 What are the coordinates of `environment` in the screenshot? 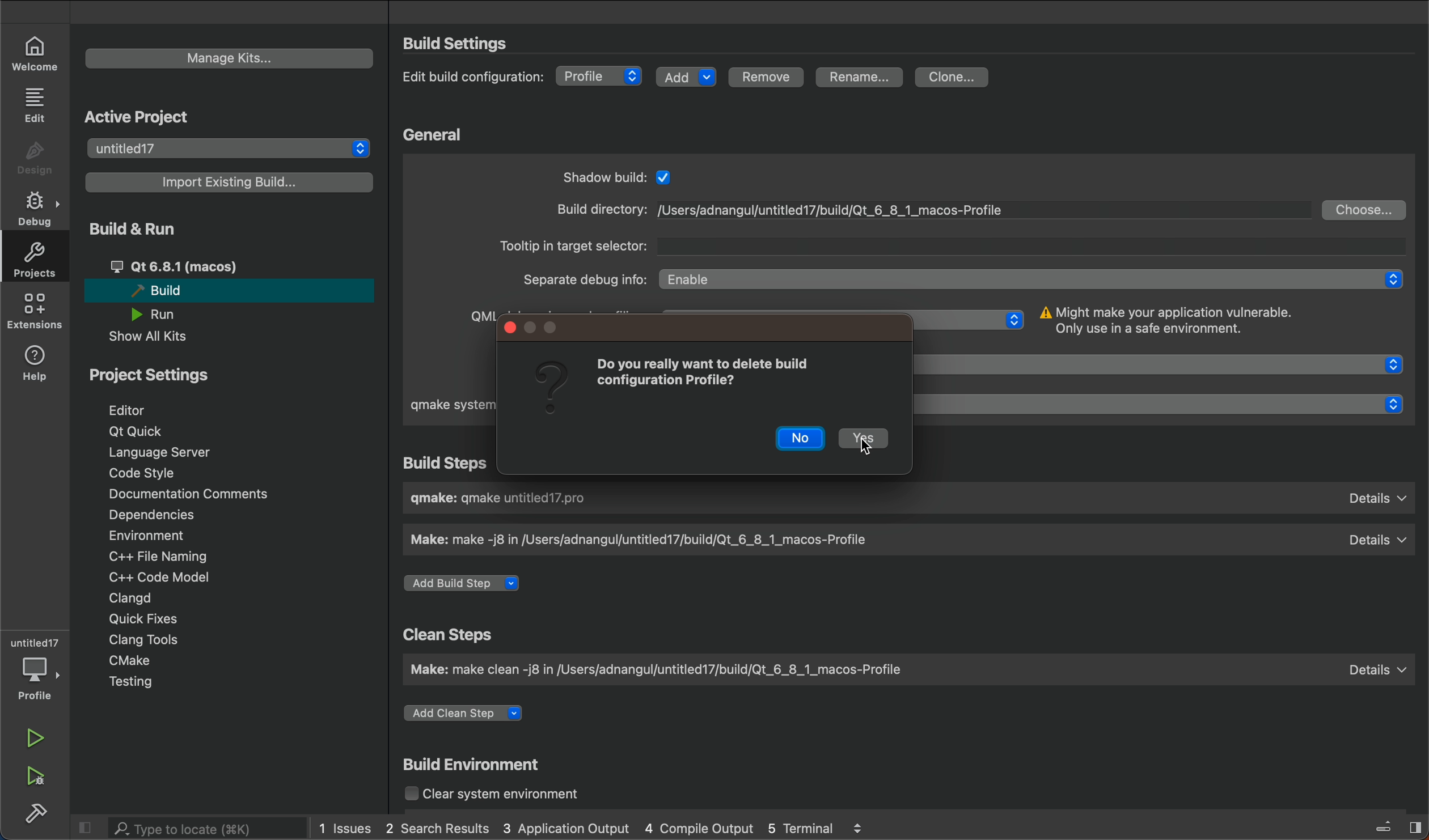 It's located at (163, 534).